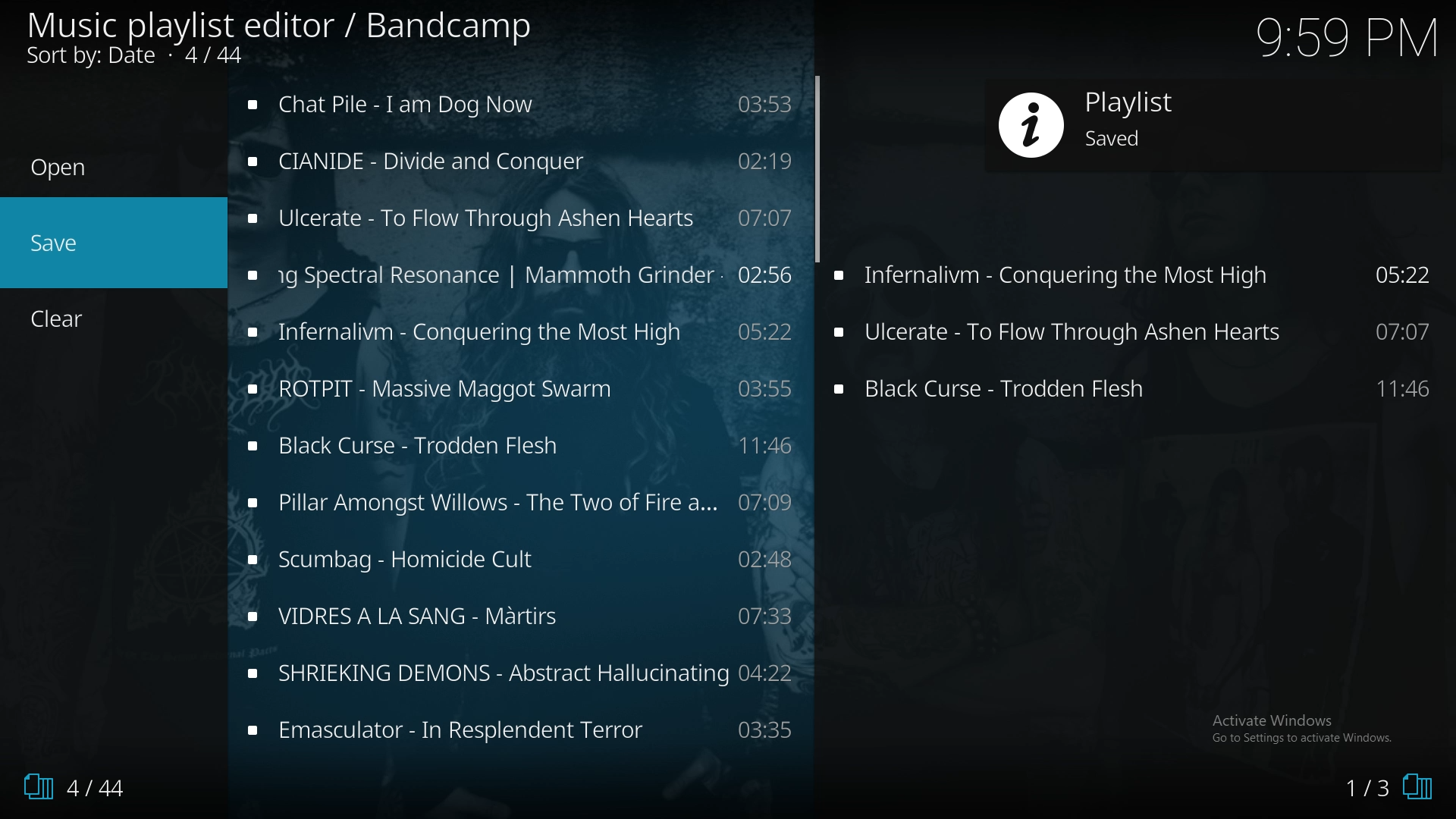  Describe the element at coordinates (521, 447) in the screenshot. I see `music` at that location.